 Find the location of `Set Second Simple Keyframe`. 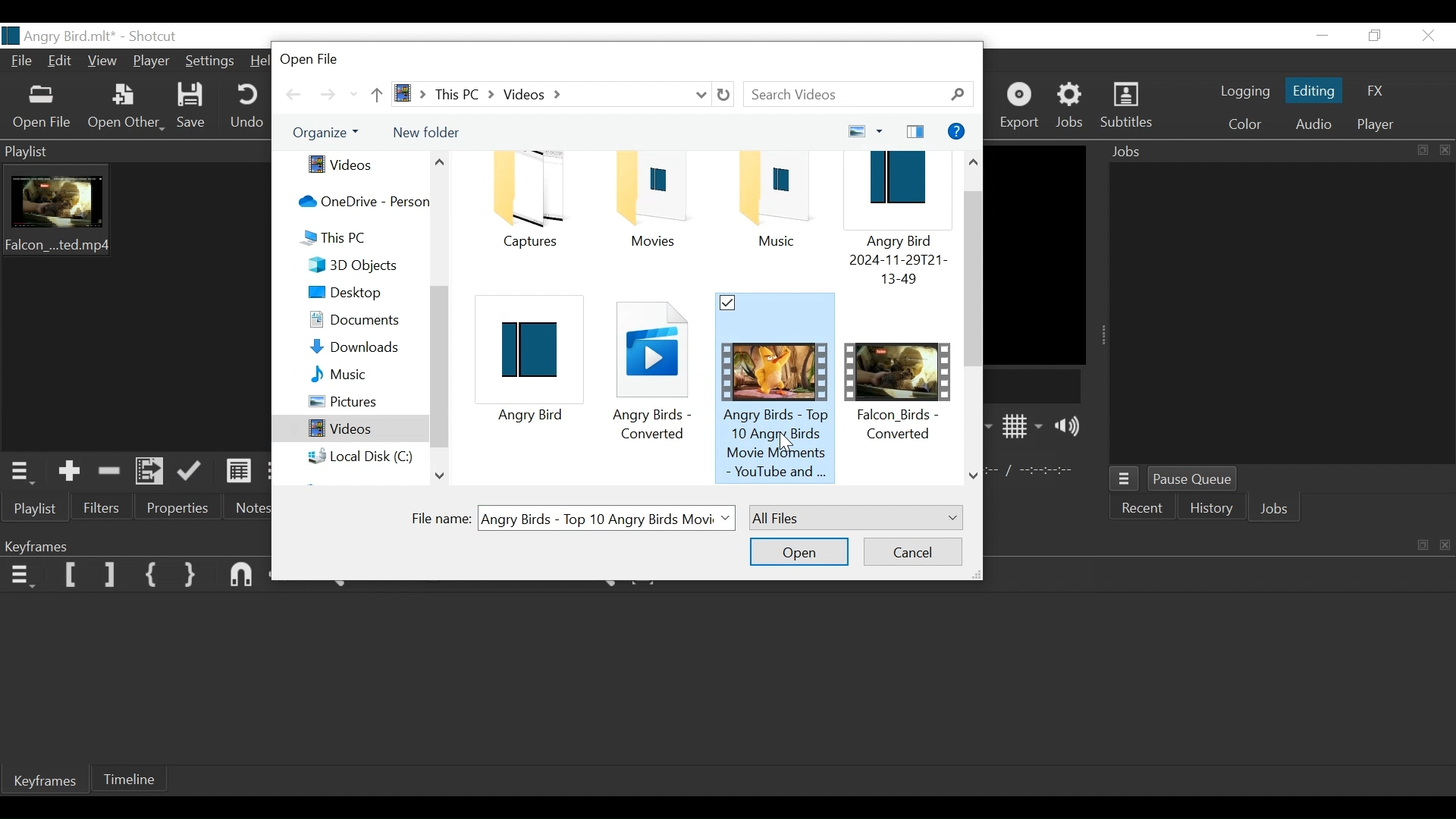

Set Second Simple Keyframe is located at coordinates (192, 576).